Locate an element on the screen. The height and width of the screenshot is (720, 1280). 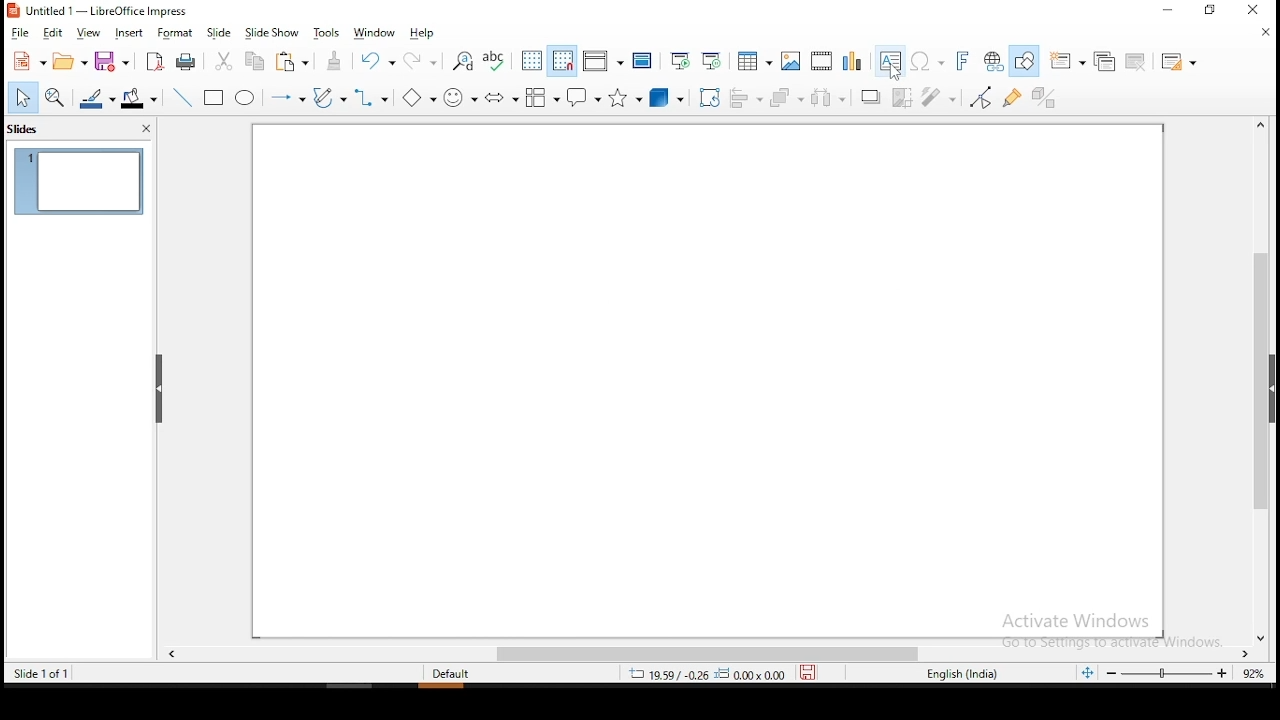
zoom slider is located at coordinates (1170, 675).